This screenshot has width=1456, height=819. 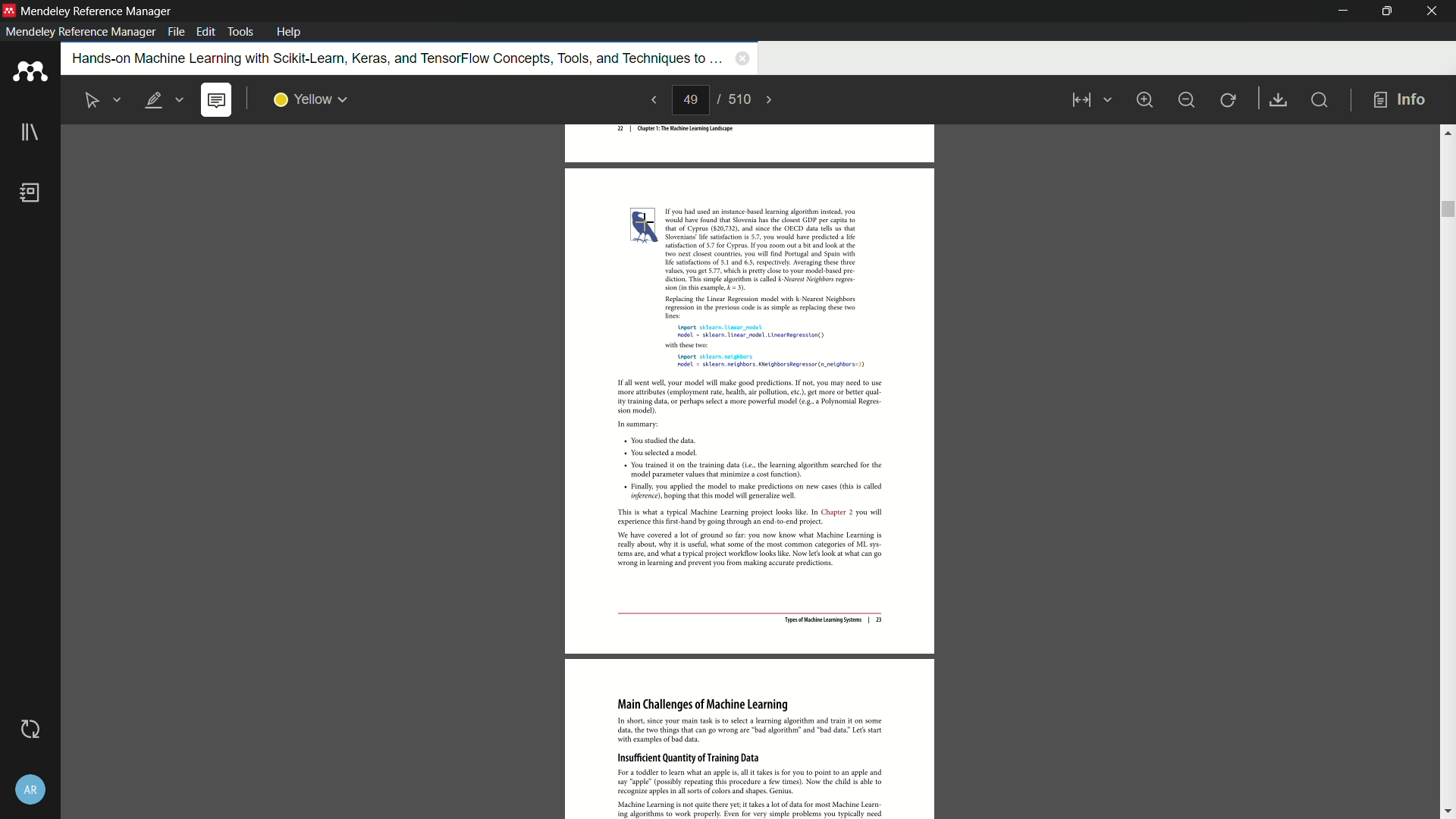 I want to click on zoom in, so click(x=1145, y=99).